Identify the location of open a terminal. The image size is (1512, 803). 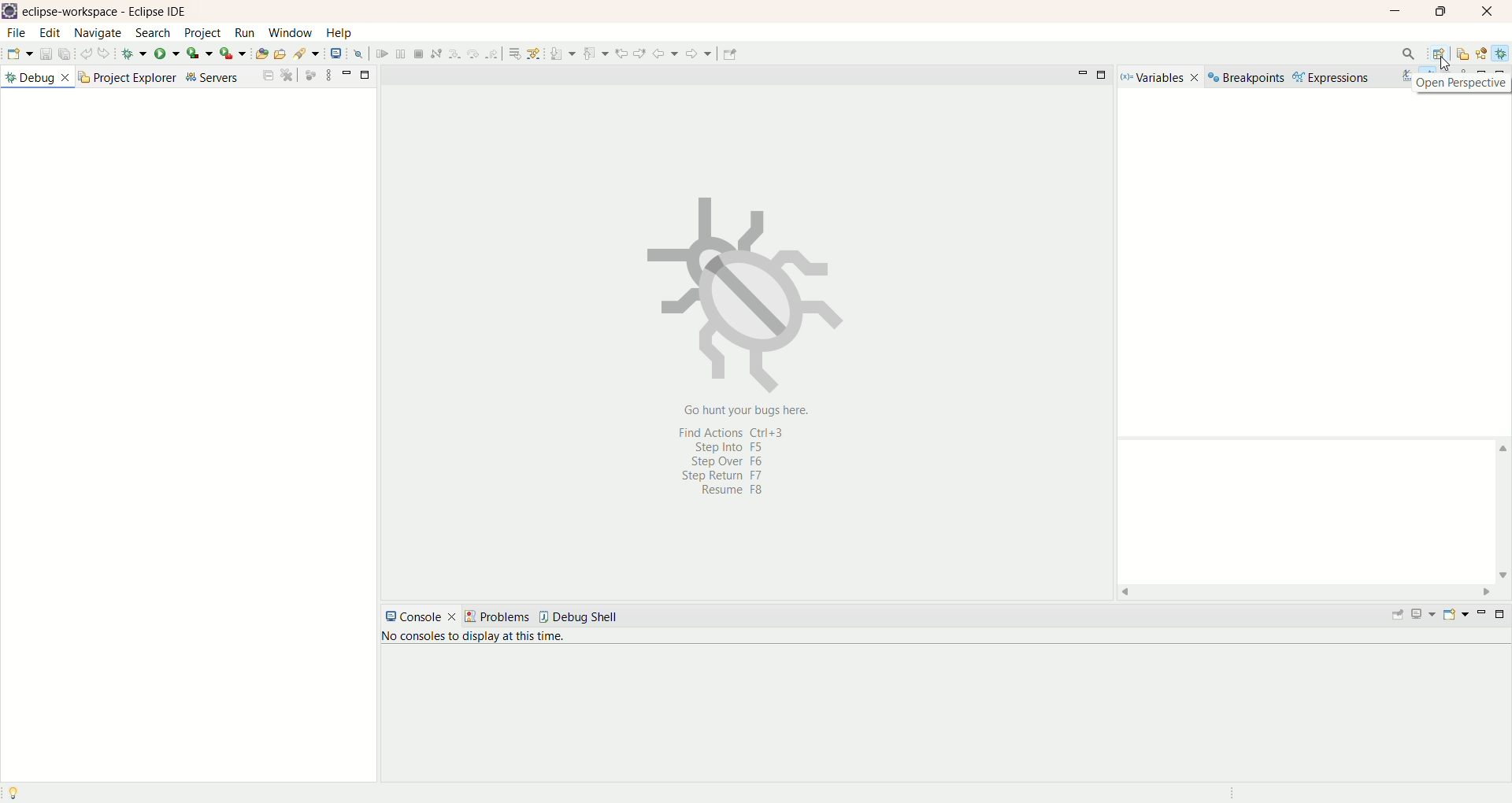
(449, 53).